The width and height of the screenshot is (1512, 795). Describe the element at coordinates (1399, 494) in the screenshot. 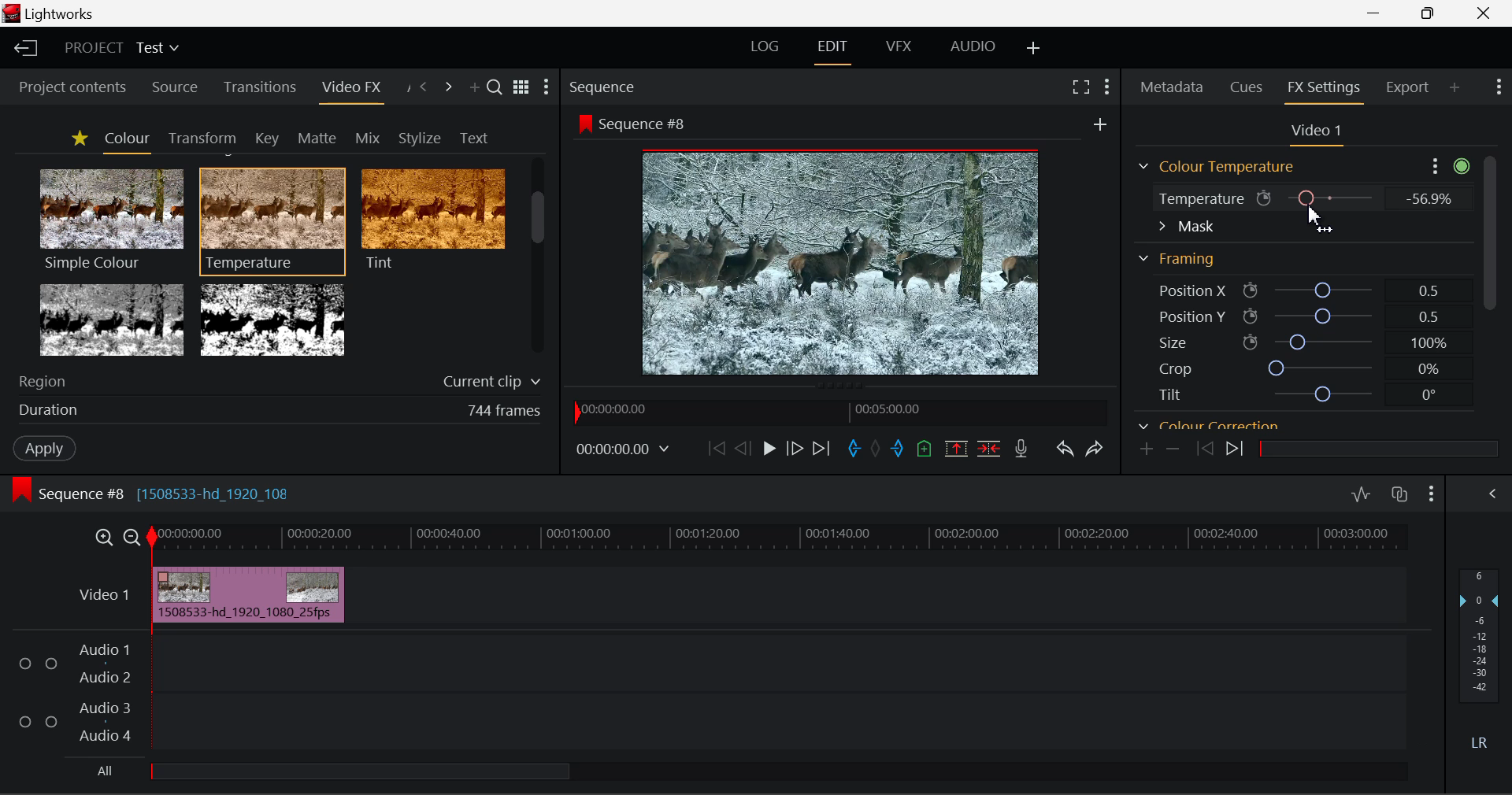

I see `Toggle auto track sync` at that location.